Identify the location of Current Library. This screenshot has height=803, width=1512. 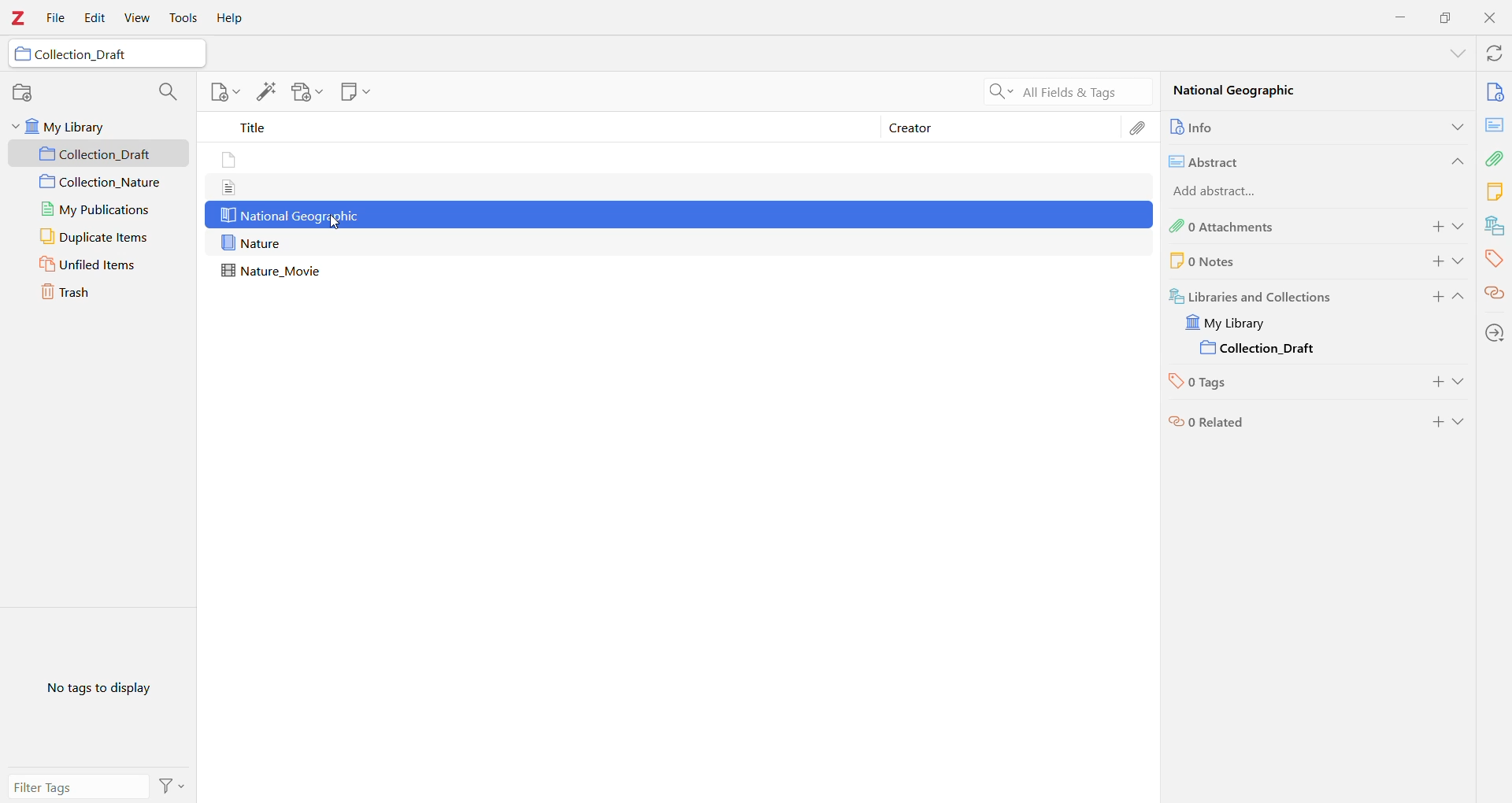
(1236, 323).